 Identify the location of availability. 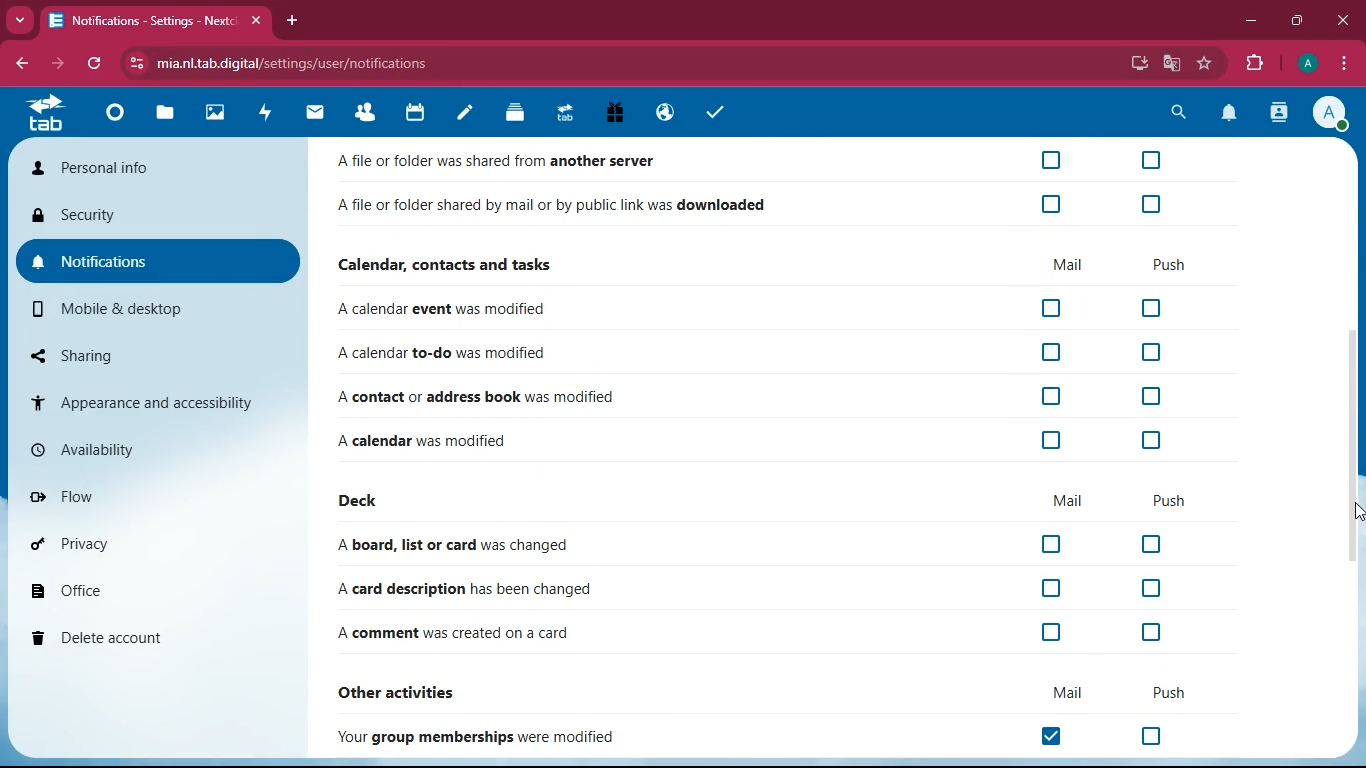
(155, 449).